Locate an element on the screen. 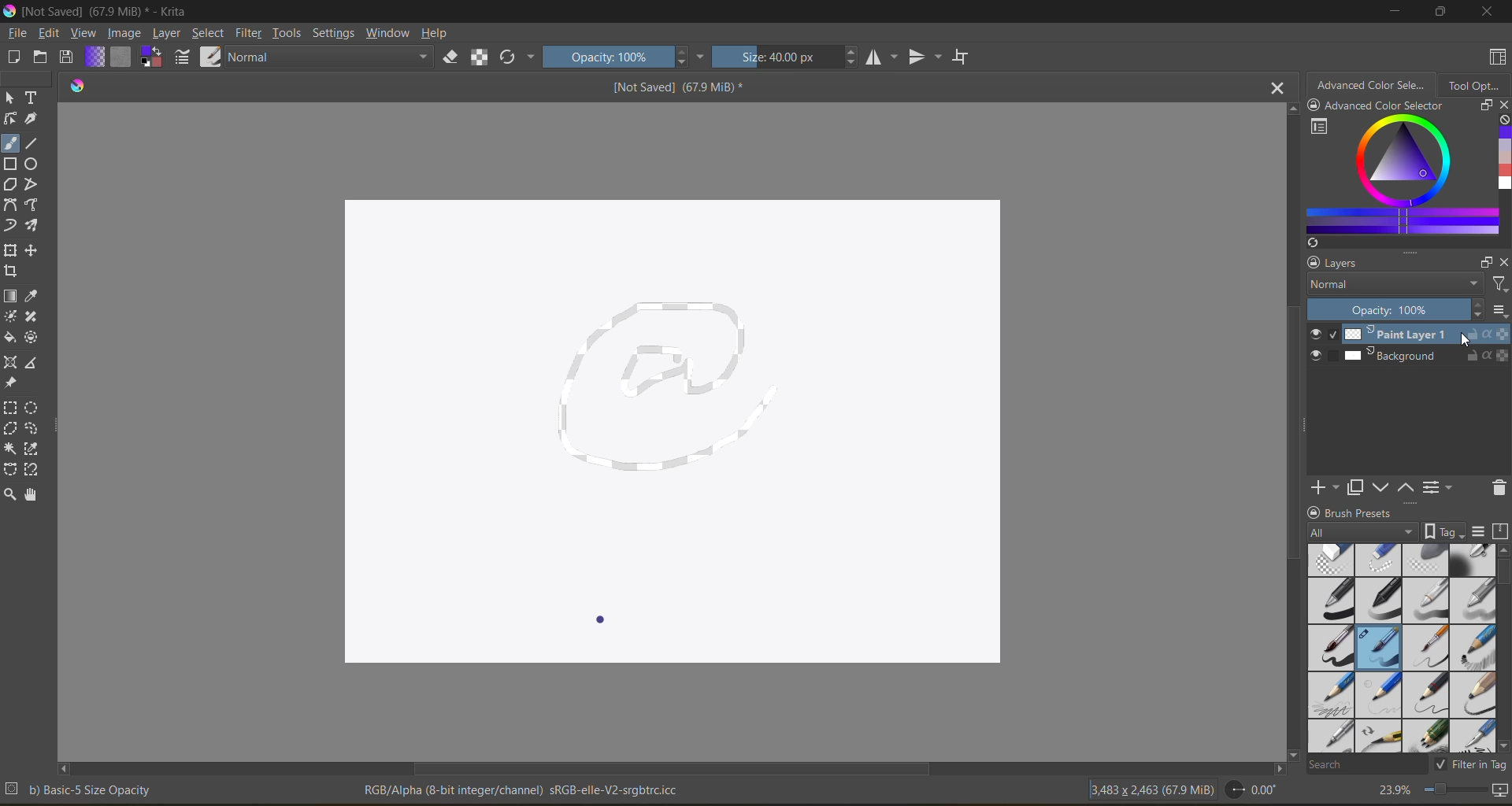 This screenshot has height=806, width=1512. help is located at coordinates (435, 33).